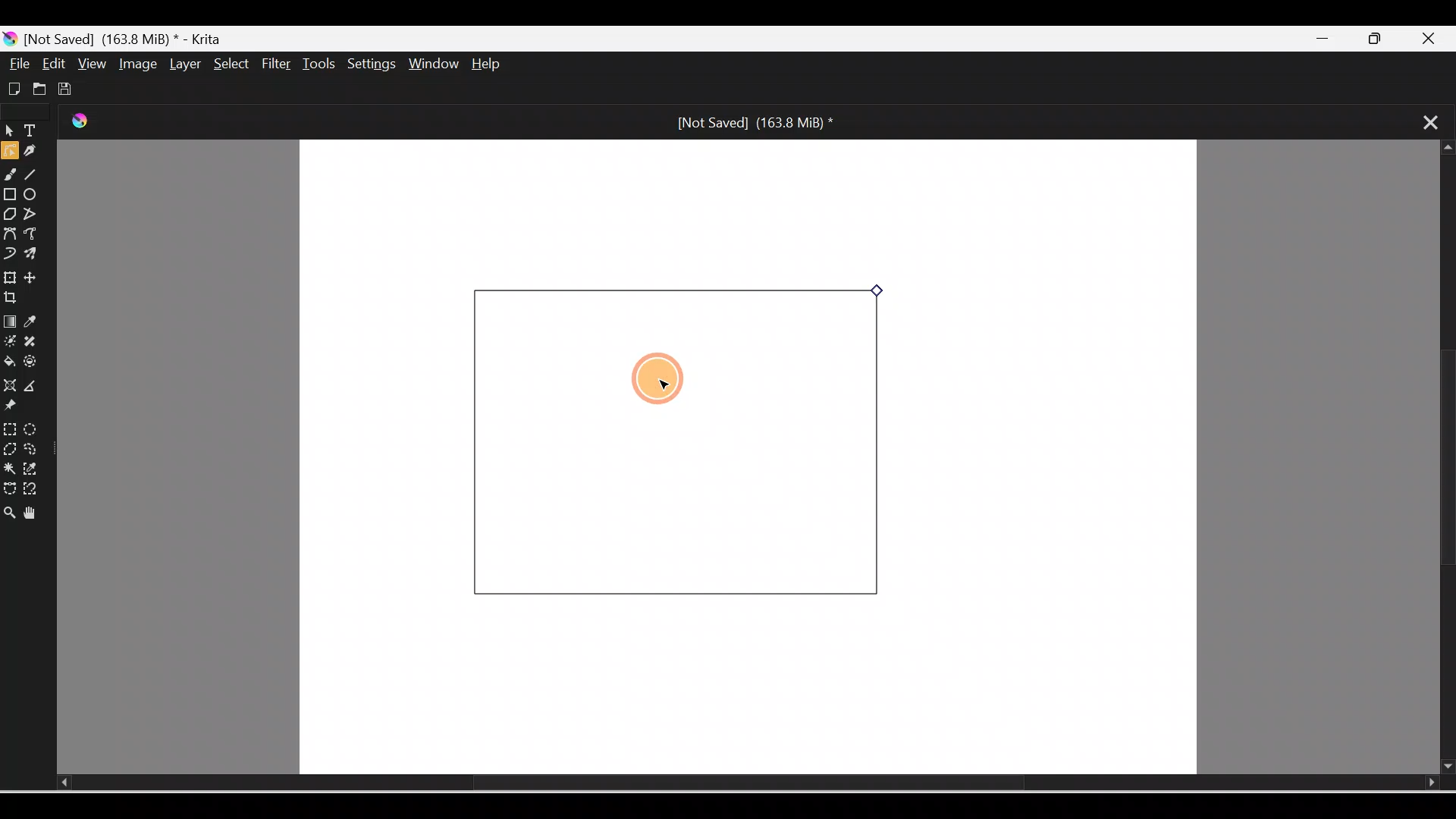 Image resolution: width=1456 pixels, height=819 pixels. Describe the element at coordinates (1384, 39) in the screenshot. I see `Maximize` at that location.